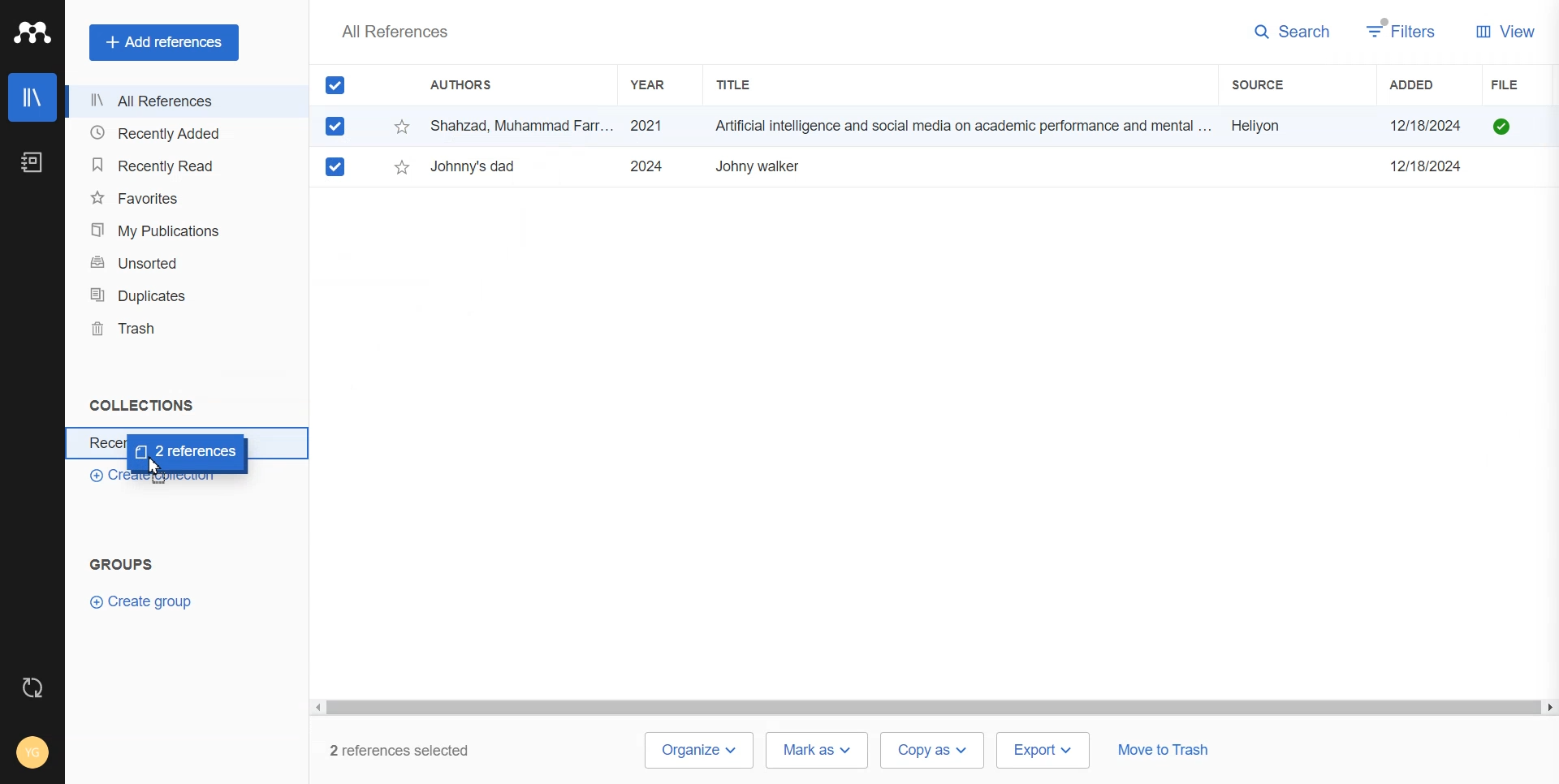 The width and height of the screenshot is (1559, 784). I want to click on Logo, so click(32, 32).